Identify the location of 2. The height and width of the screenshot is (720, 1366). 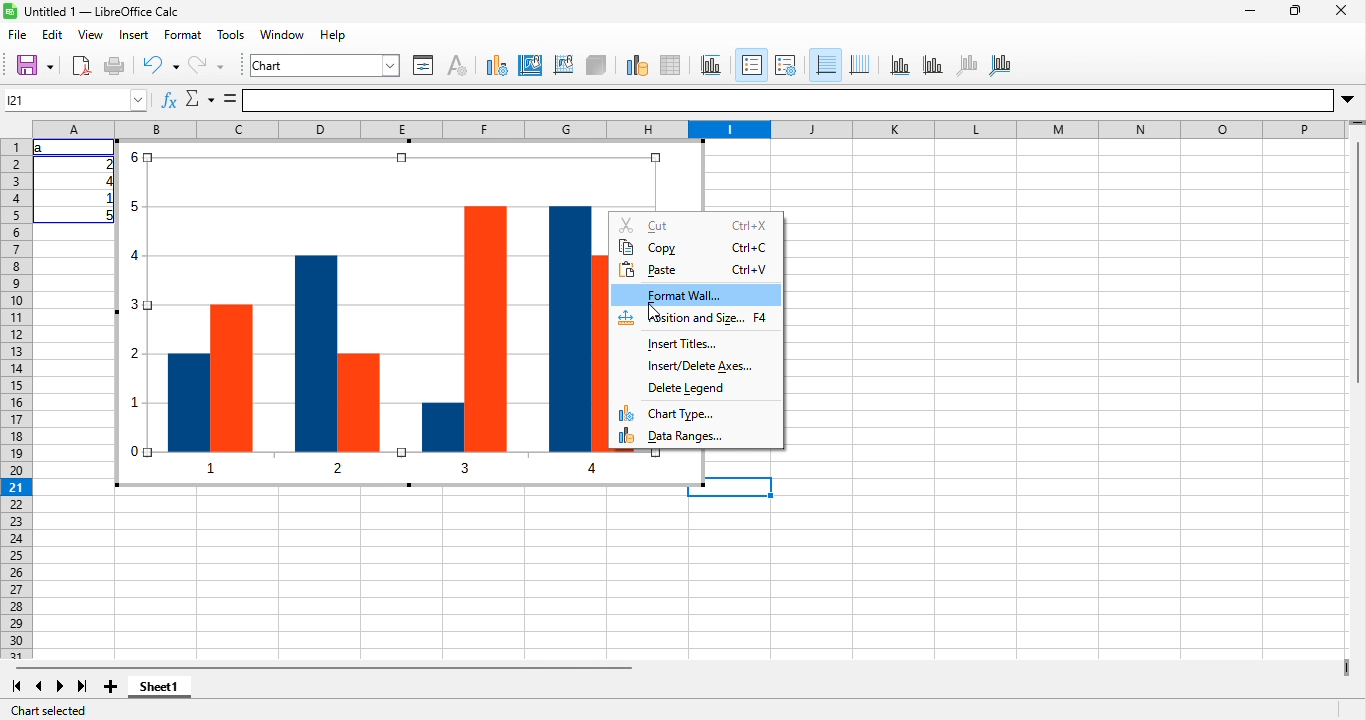
(106, 164).